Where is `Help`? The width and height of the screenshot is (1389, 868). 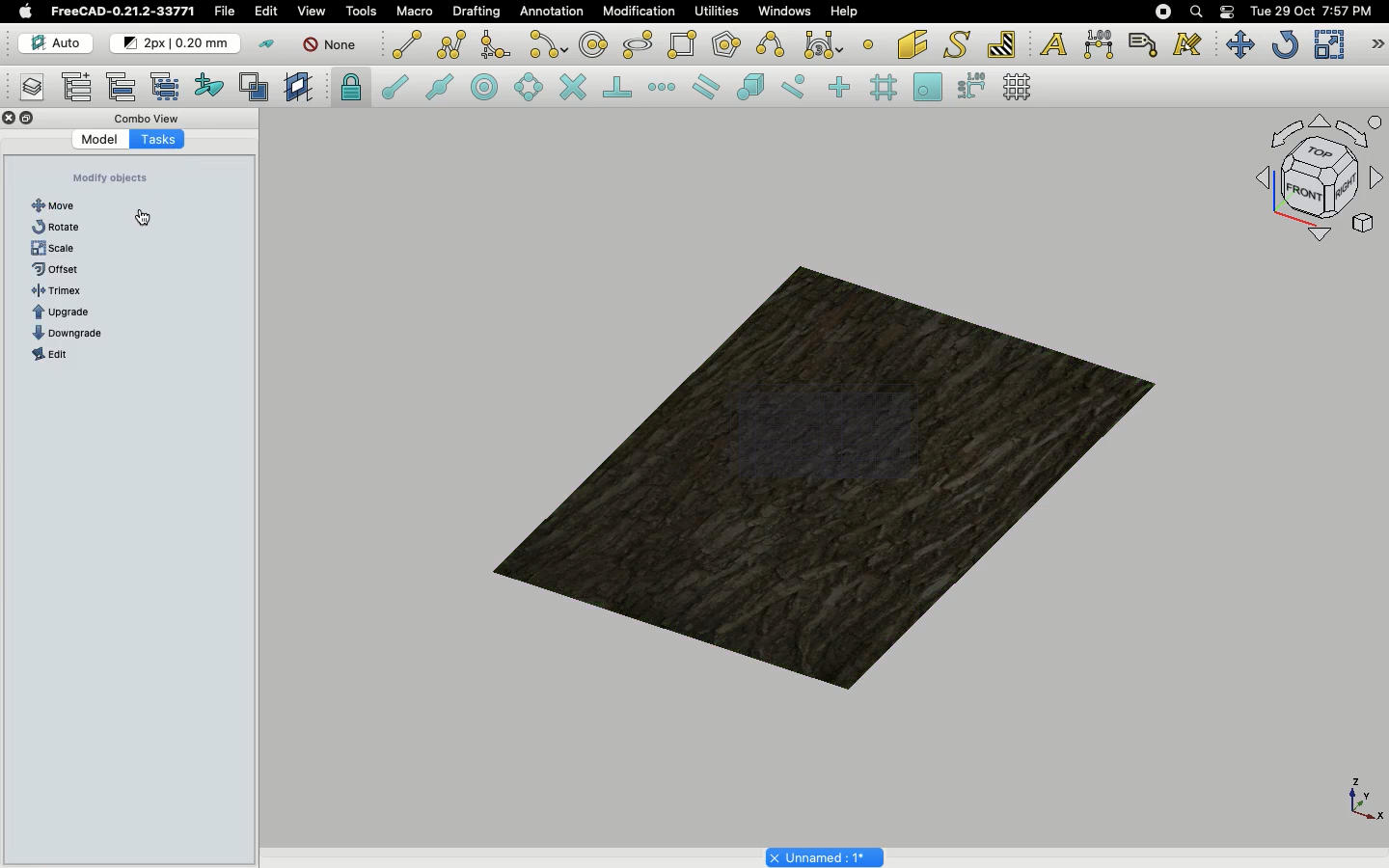
Help is located at coordinates (844, 11).